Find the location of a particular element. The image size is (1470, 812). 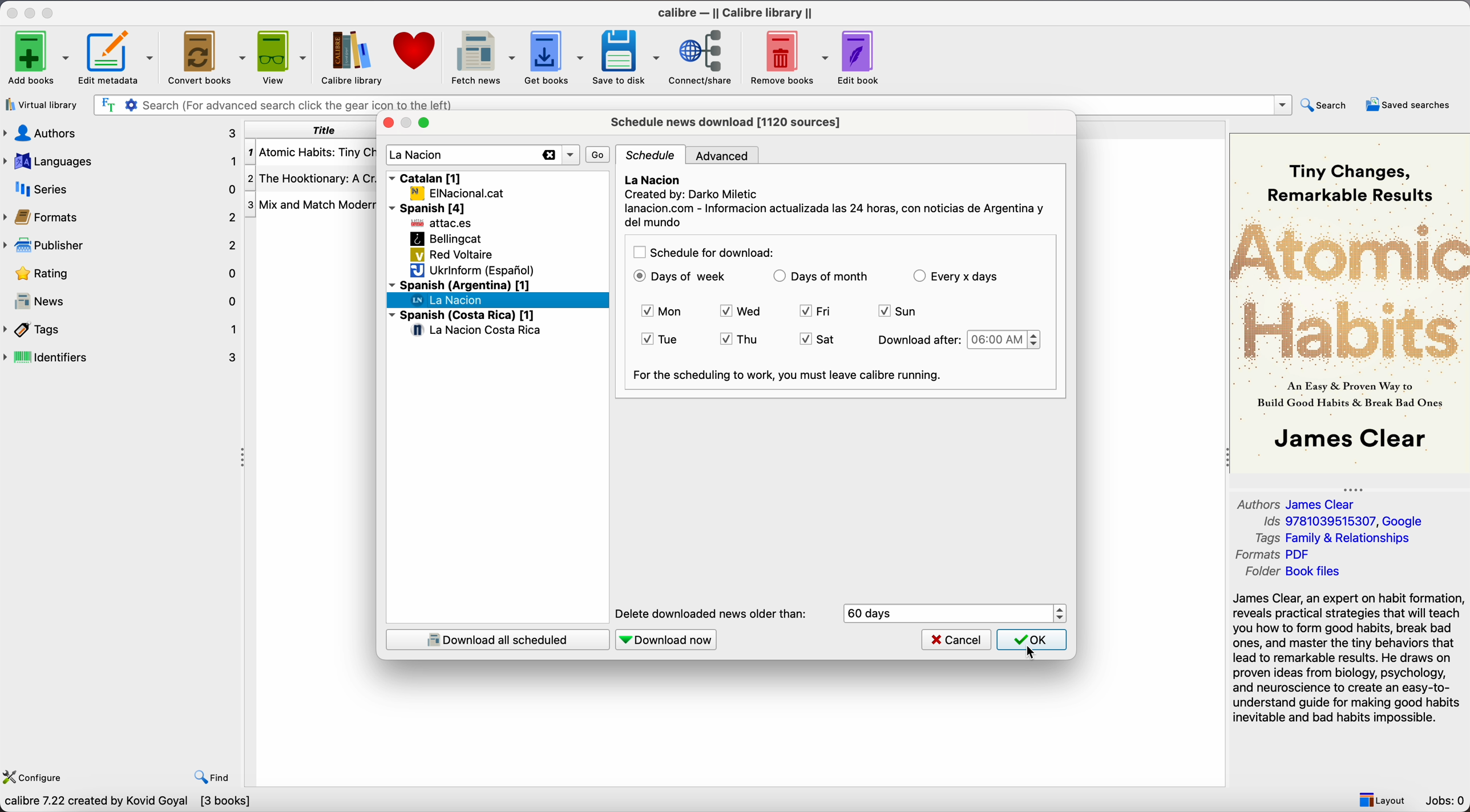

fri is located at coordinates (815, 312).